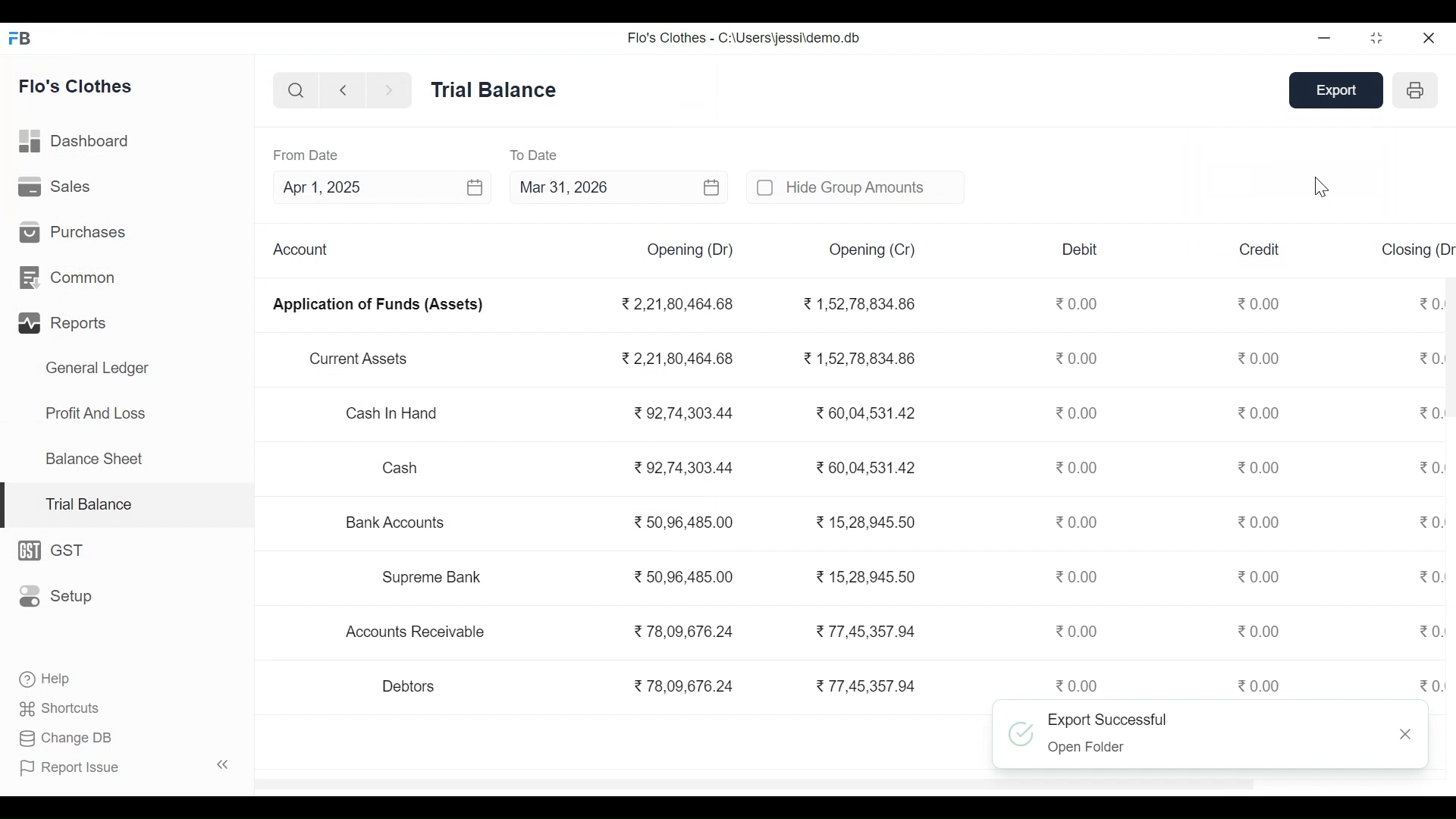 Image resolution: width=1456 pixels, height=819 pixels. Describe the element at coordinates (857, 304) in the screenshot. I see `1,52,78,834.86` at that location.